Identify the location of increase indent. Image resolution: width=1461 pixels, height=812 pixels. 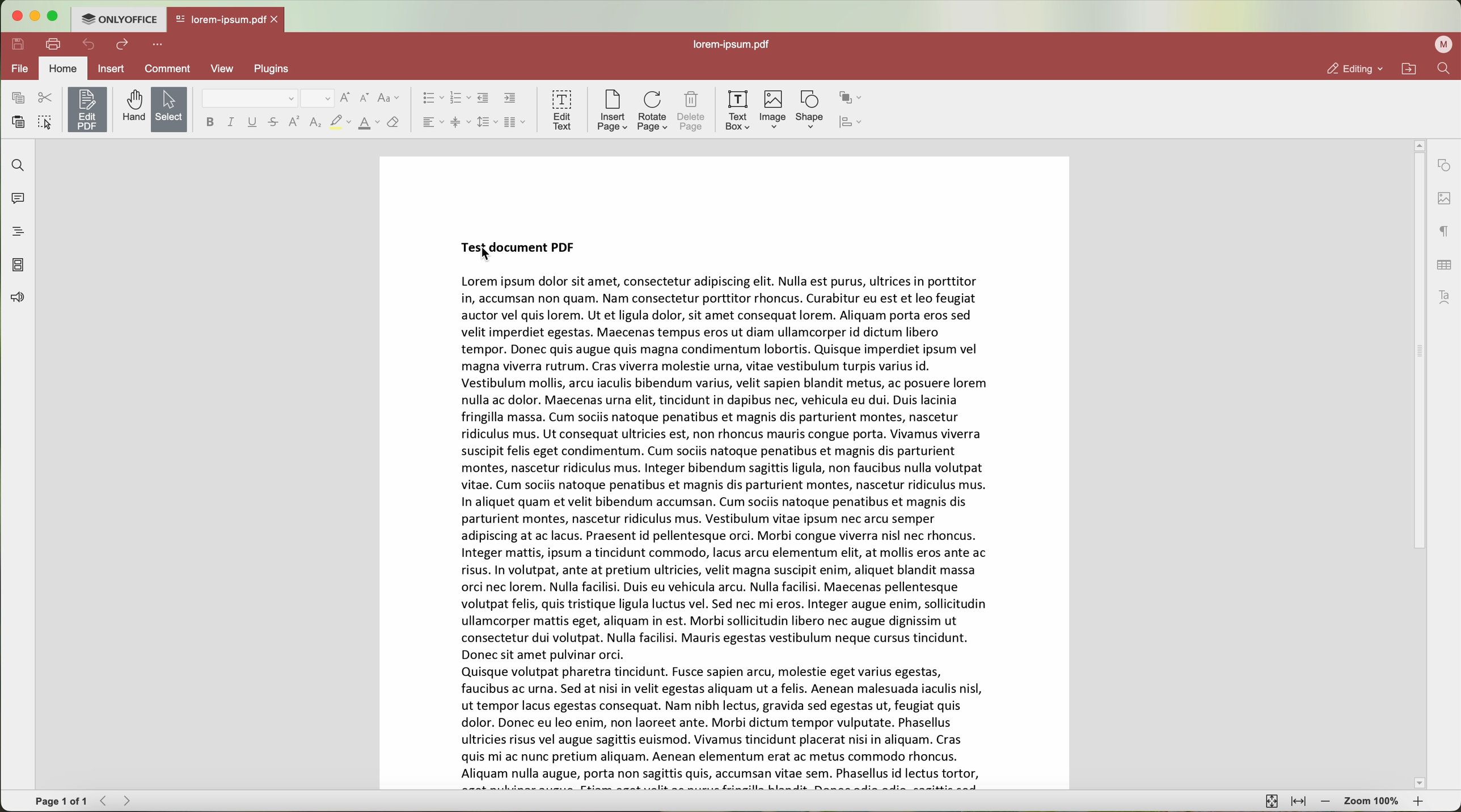
(510, 99).